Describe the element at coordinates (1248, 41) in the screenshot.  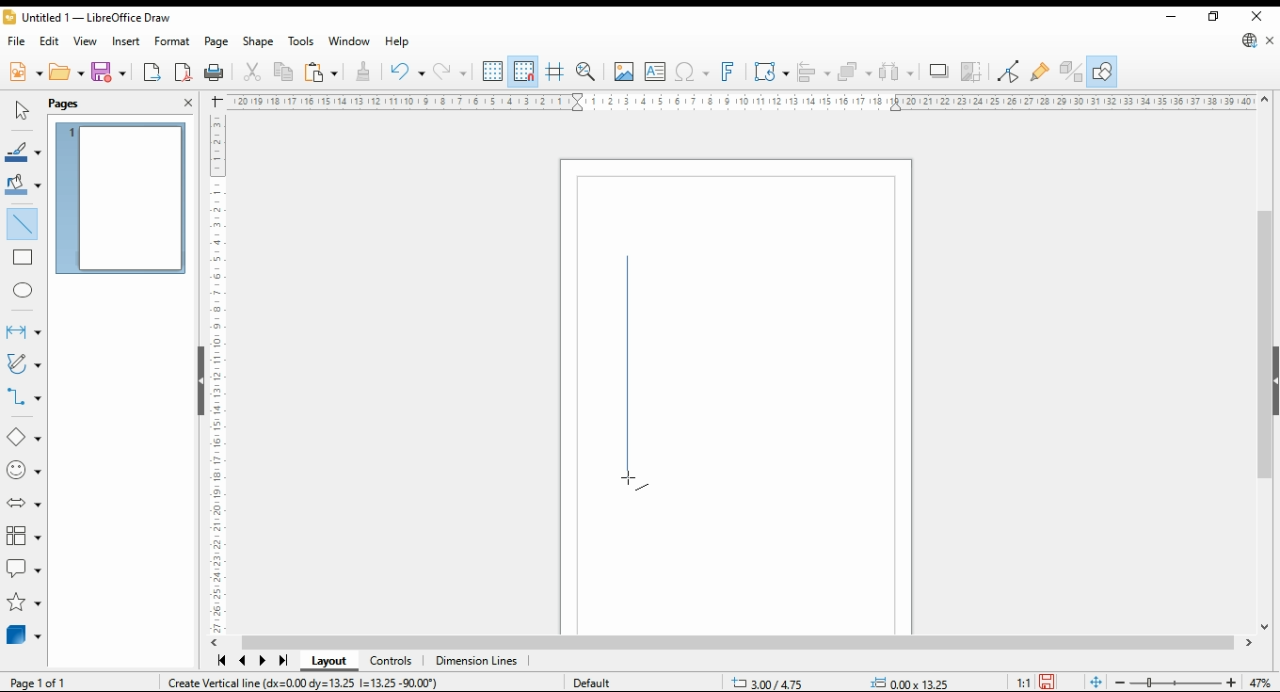
I see `libreoffice update` at that location.